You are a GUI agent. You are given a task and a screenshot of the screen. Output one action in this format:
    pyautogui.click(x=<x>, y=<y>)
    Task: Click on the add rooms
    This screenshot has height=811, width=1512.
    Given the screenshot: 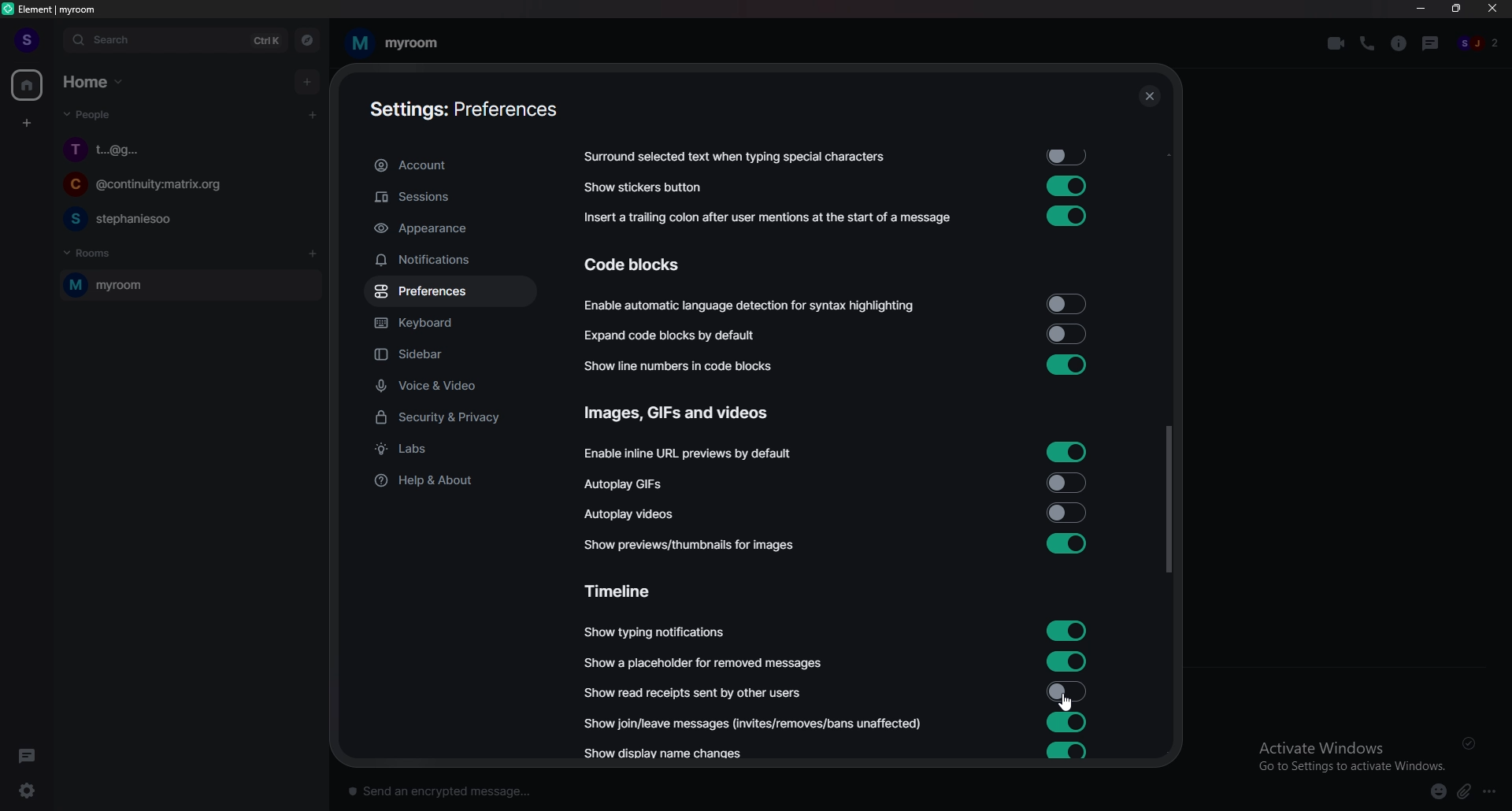 What is the action you would take?
    pyautogui.click(x=313, y=254)
    